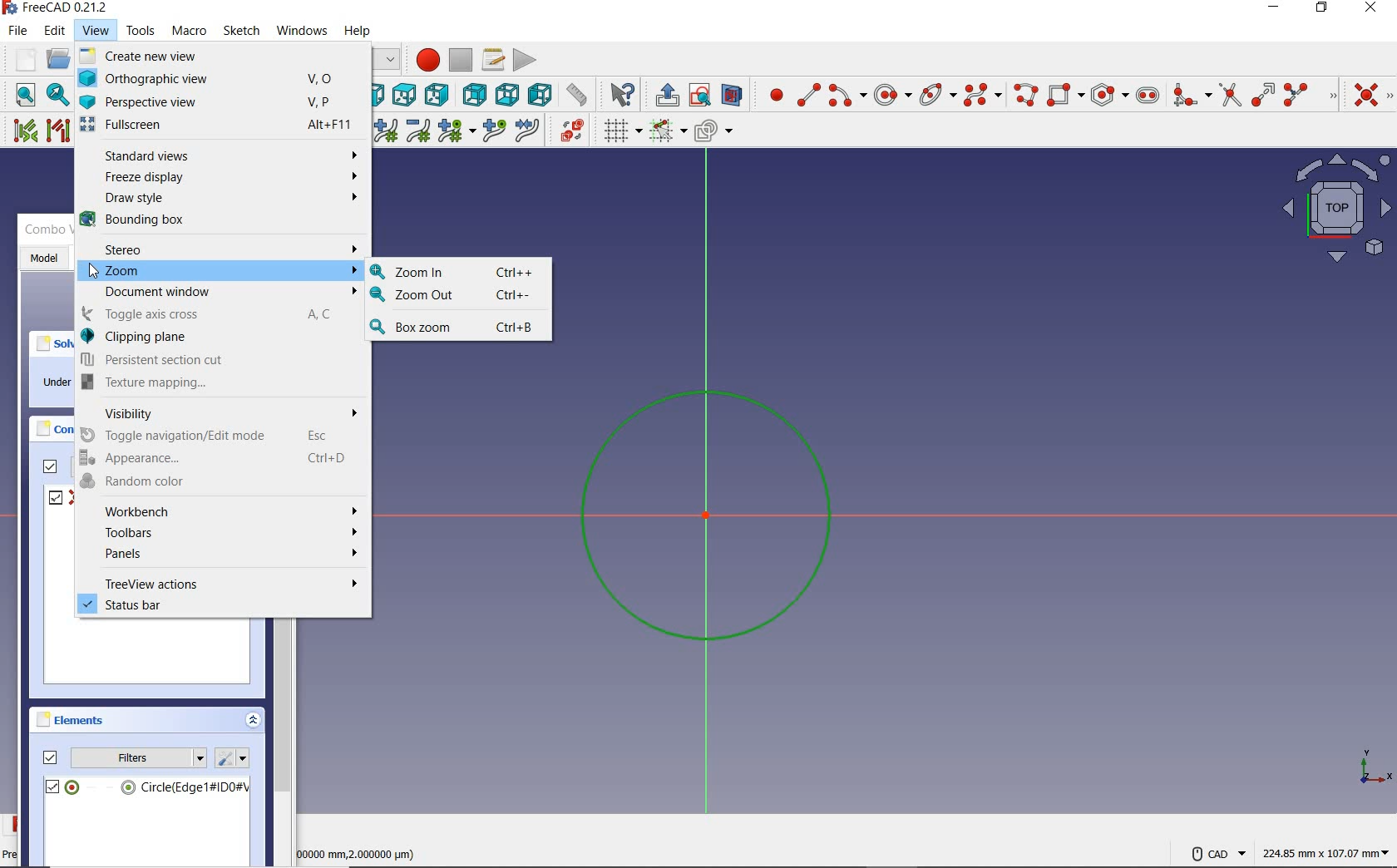  What do you see at coordinates (1066, 95) in the screenshot?
I see `create rectangle` at bounding box center [1066, 95].